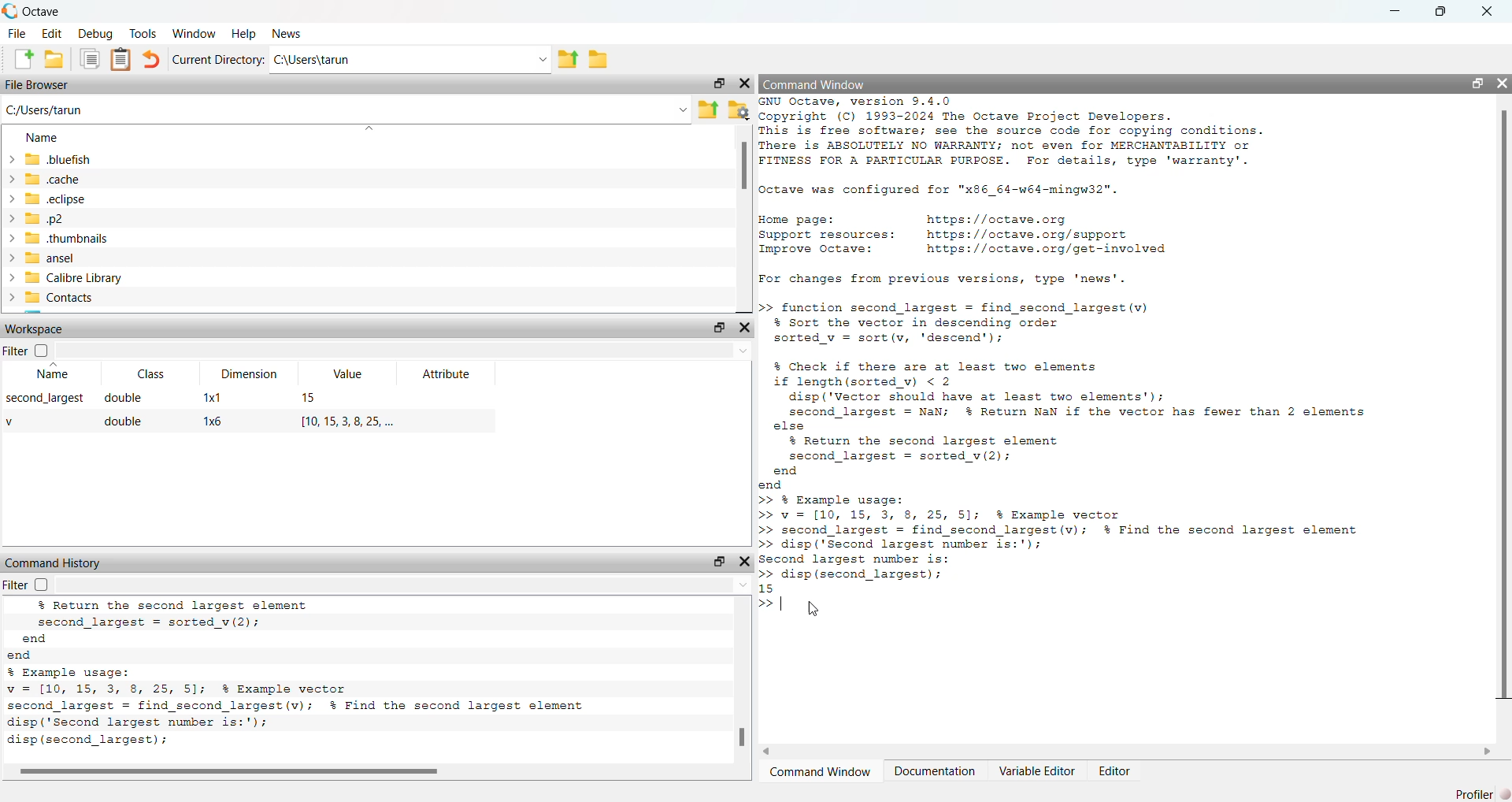 The image size is (1512, 802). Describe the element at coordinates (1482, 790) in the screenshot. I see `profiler` at that location.